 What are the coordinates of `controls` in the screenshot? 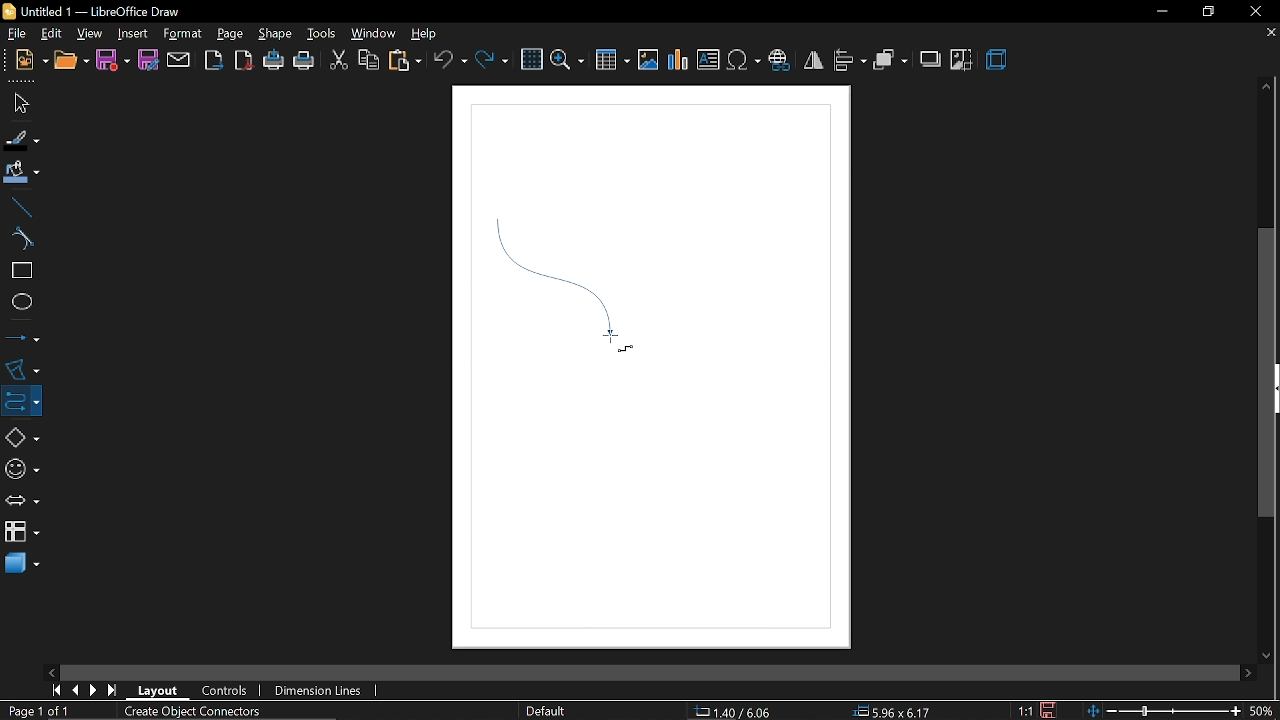 It's located at (226, 692).